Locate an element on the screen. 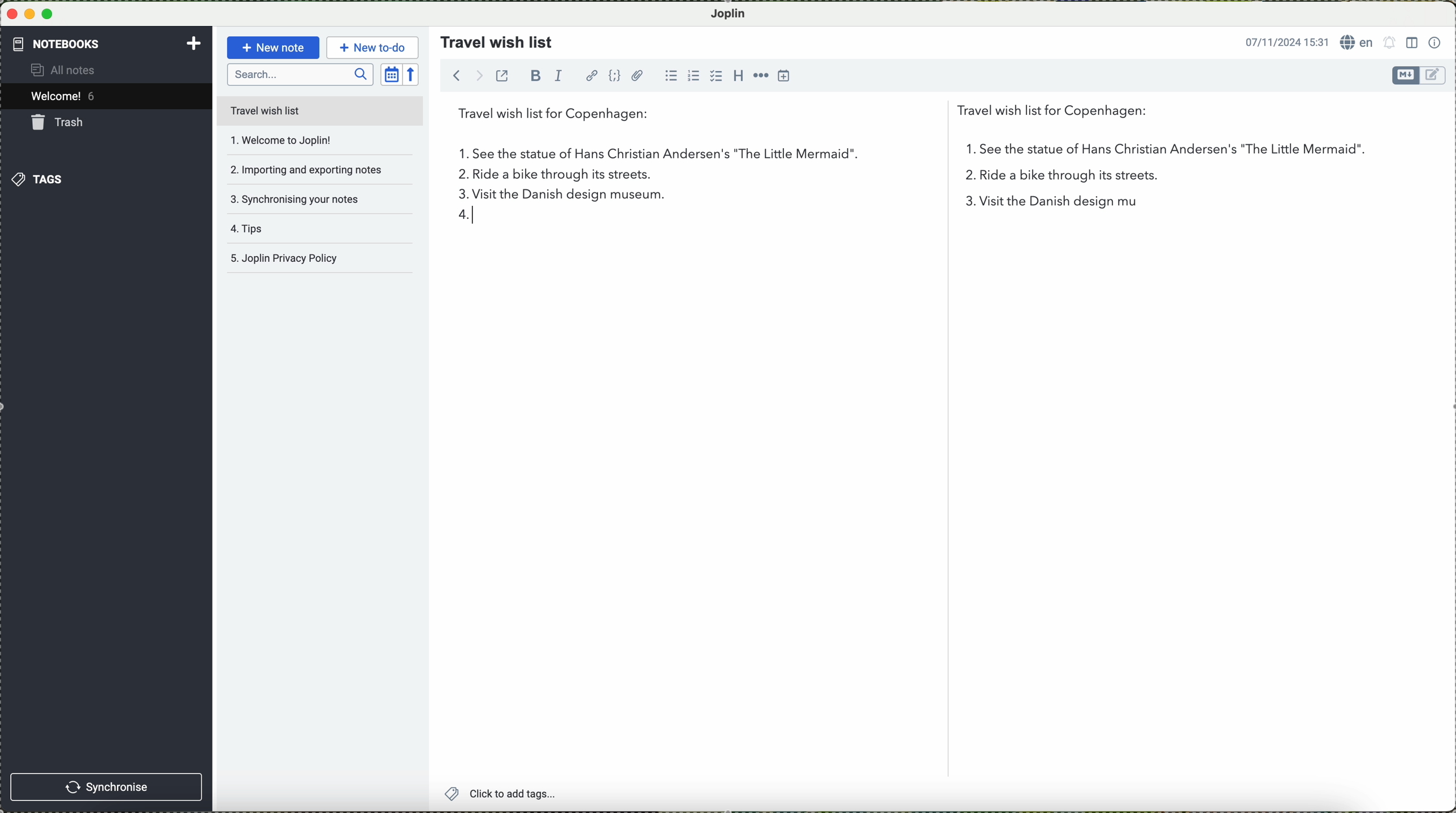  insert time is located at coordinates (785, 77).